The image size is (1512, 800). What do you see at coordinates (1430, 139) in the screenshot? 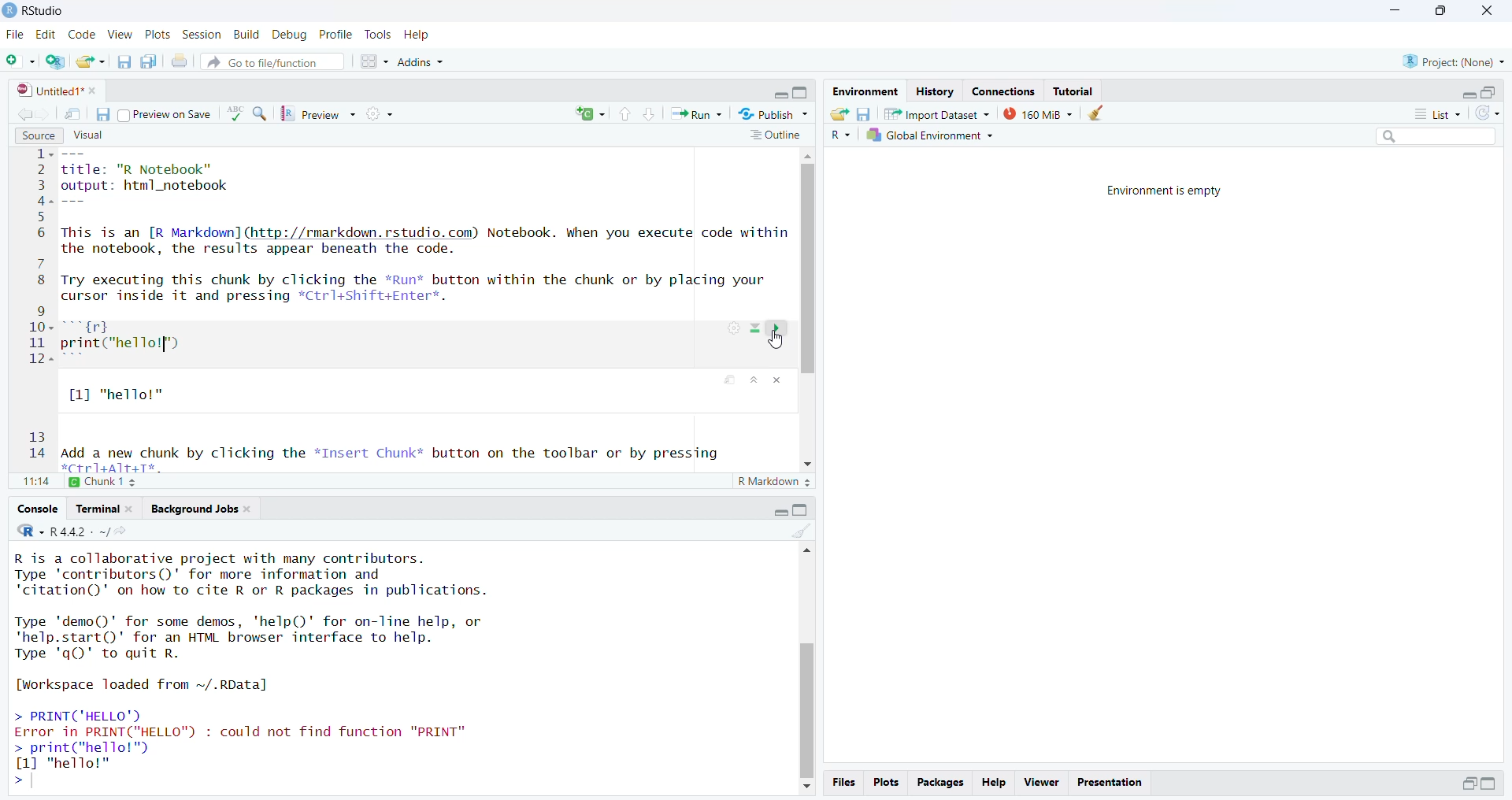
I see `search` at bounding box center [1430, 139].